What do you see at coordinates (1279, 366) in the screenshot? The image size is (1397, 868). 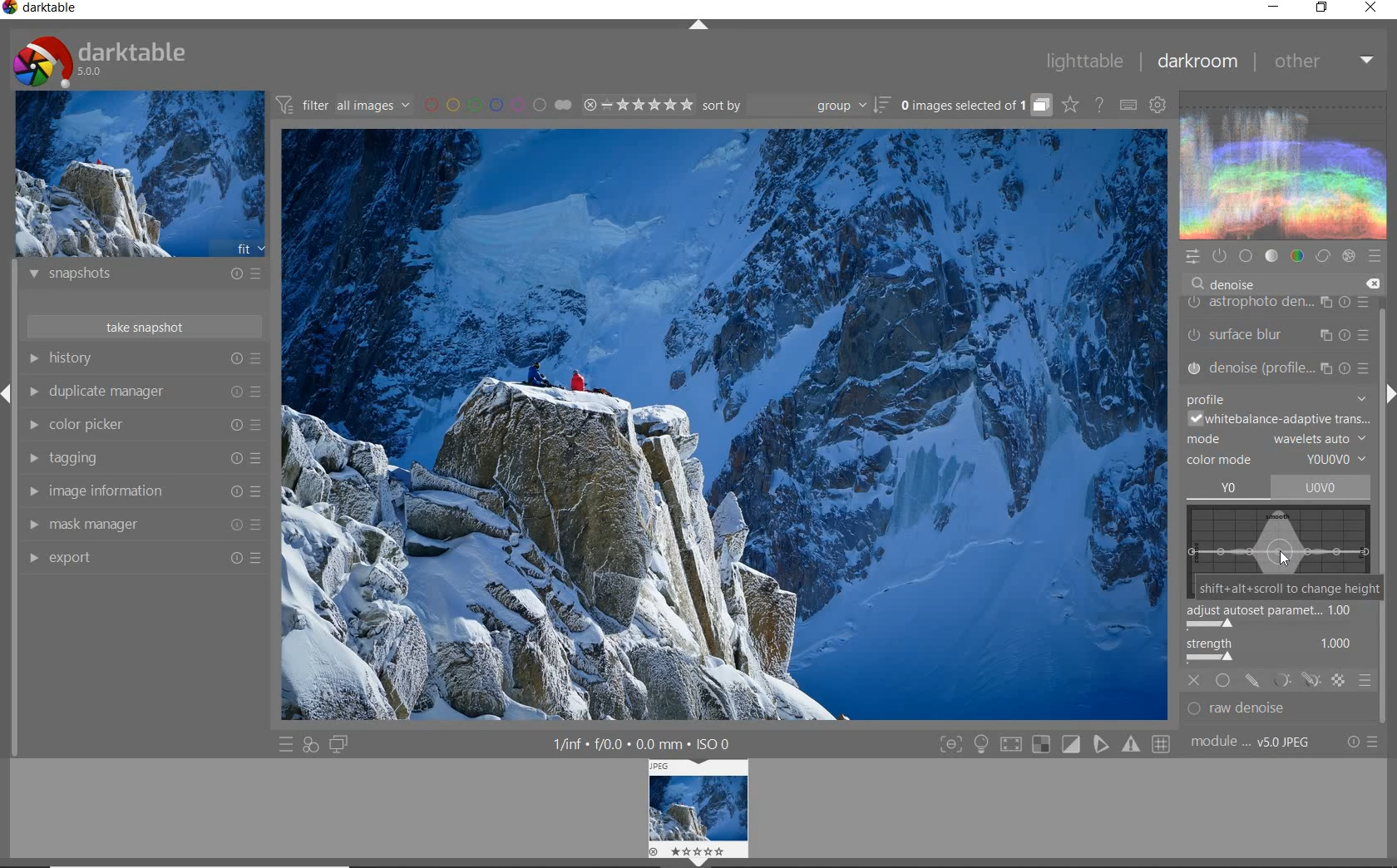 I see `denoise (PROFILE...` at bounding box center [1279, 366].